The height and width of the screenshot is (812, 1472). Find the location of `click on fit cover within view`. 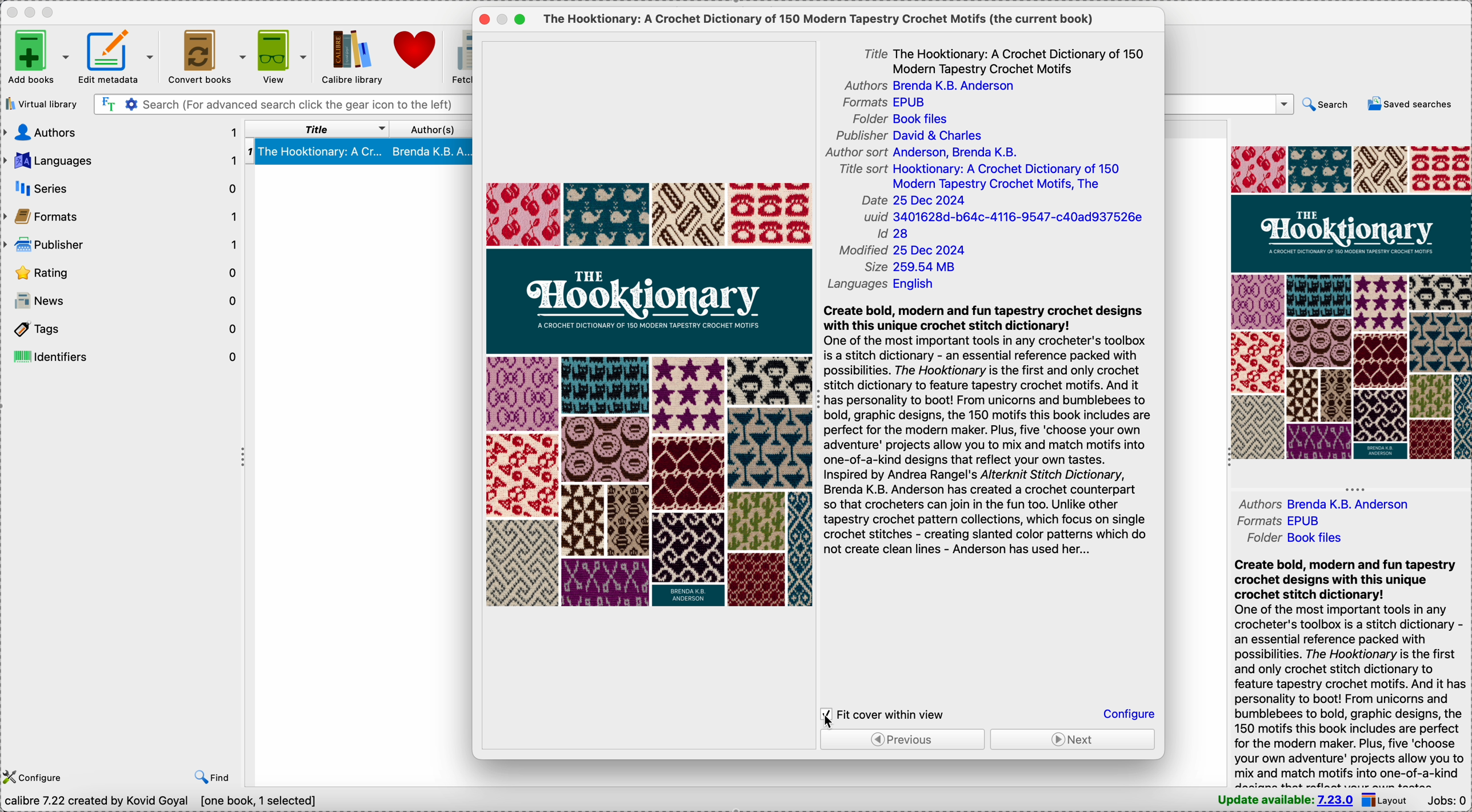

click on fit cover within view is located at coordinates (887, 717).